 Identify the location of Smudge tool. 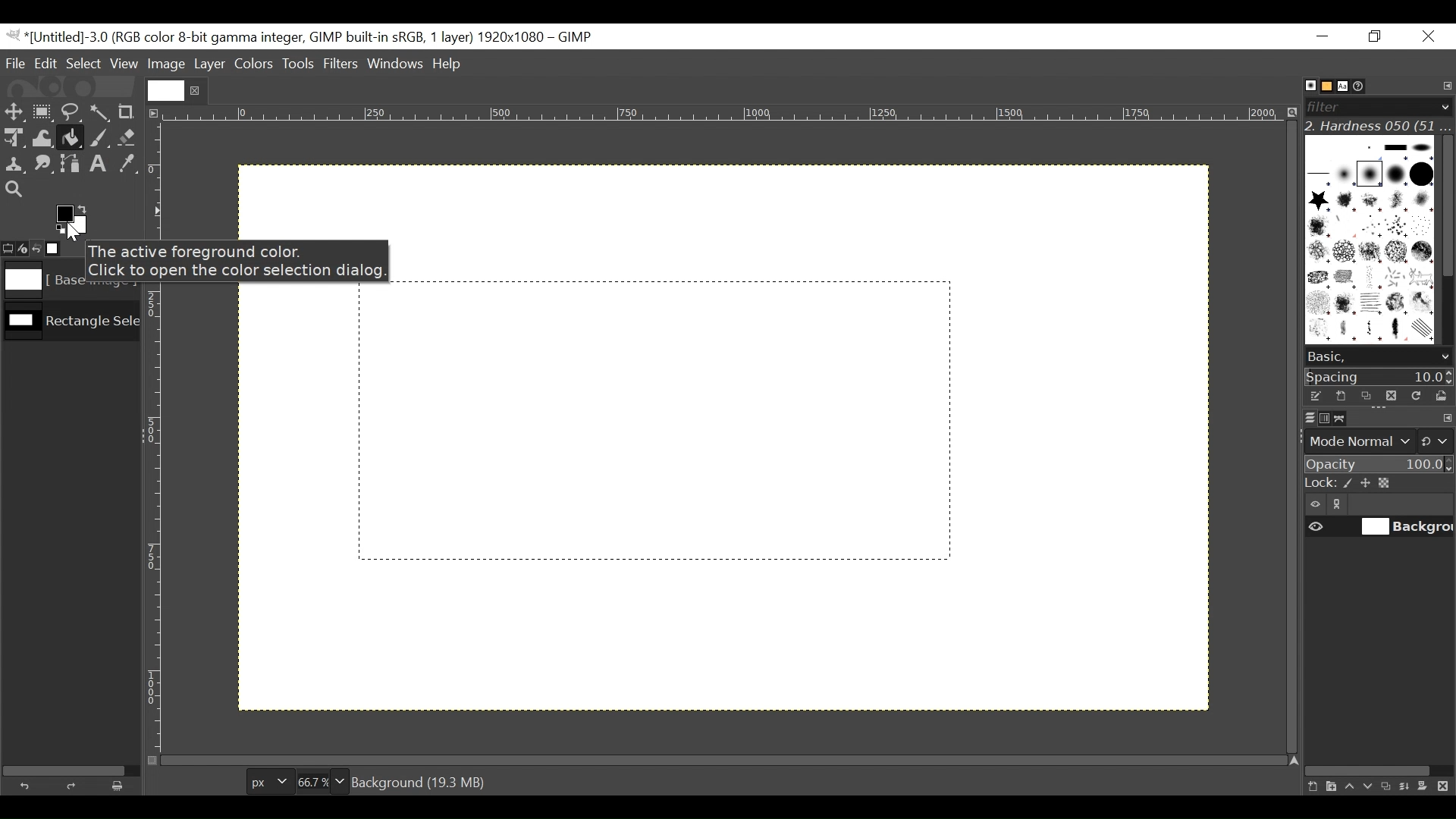
(45, 165).